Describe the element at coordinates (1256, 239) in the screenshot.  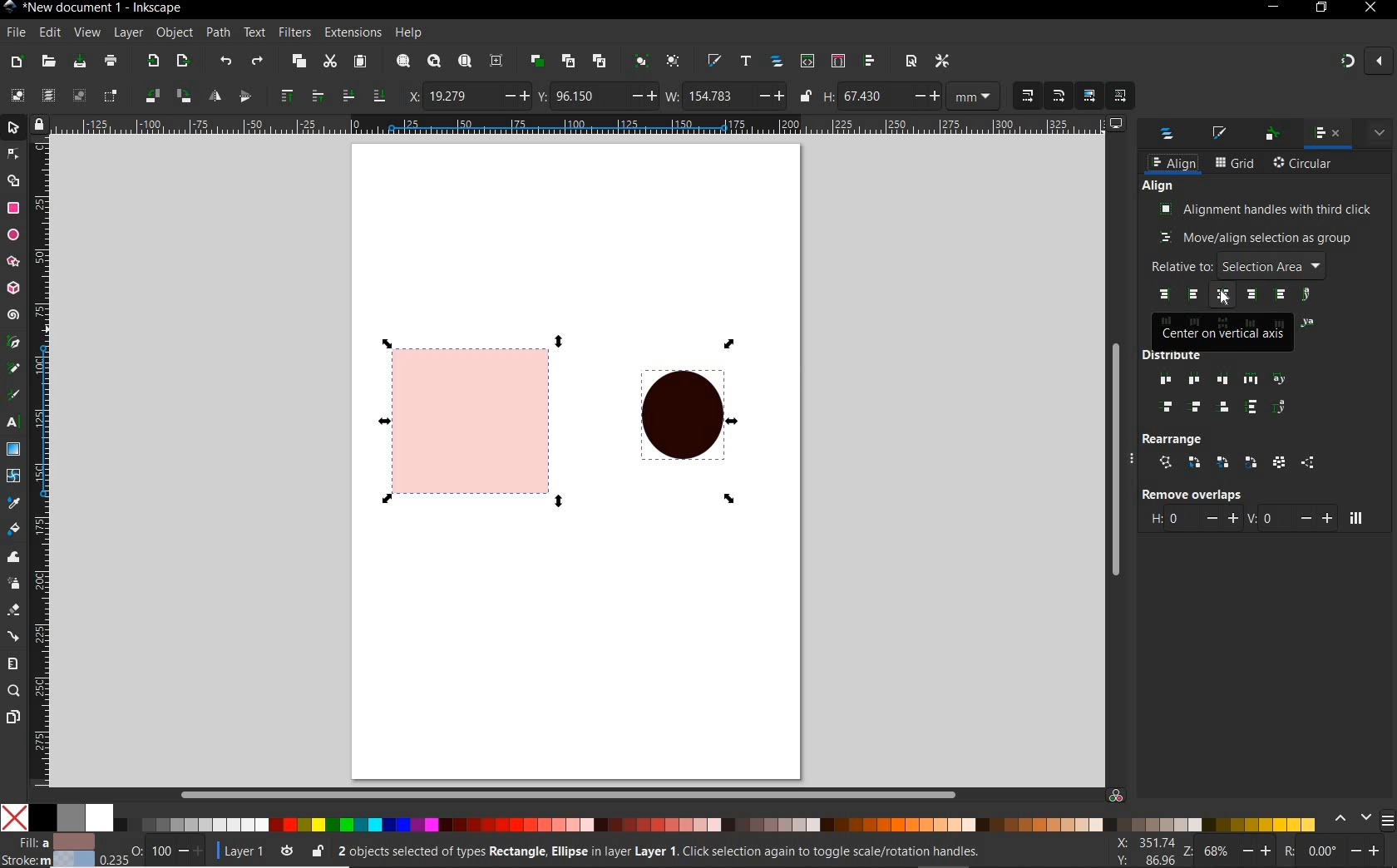
I see `move/align selection as group` at that location.